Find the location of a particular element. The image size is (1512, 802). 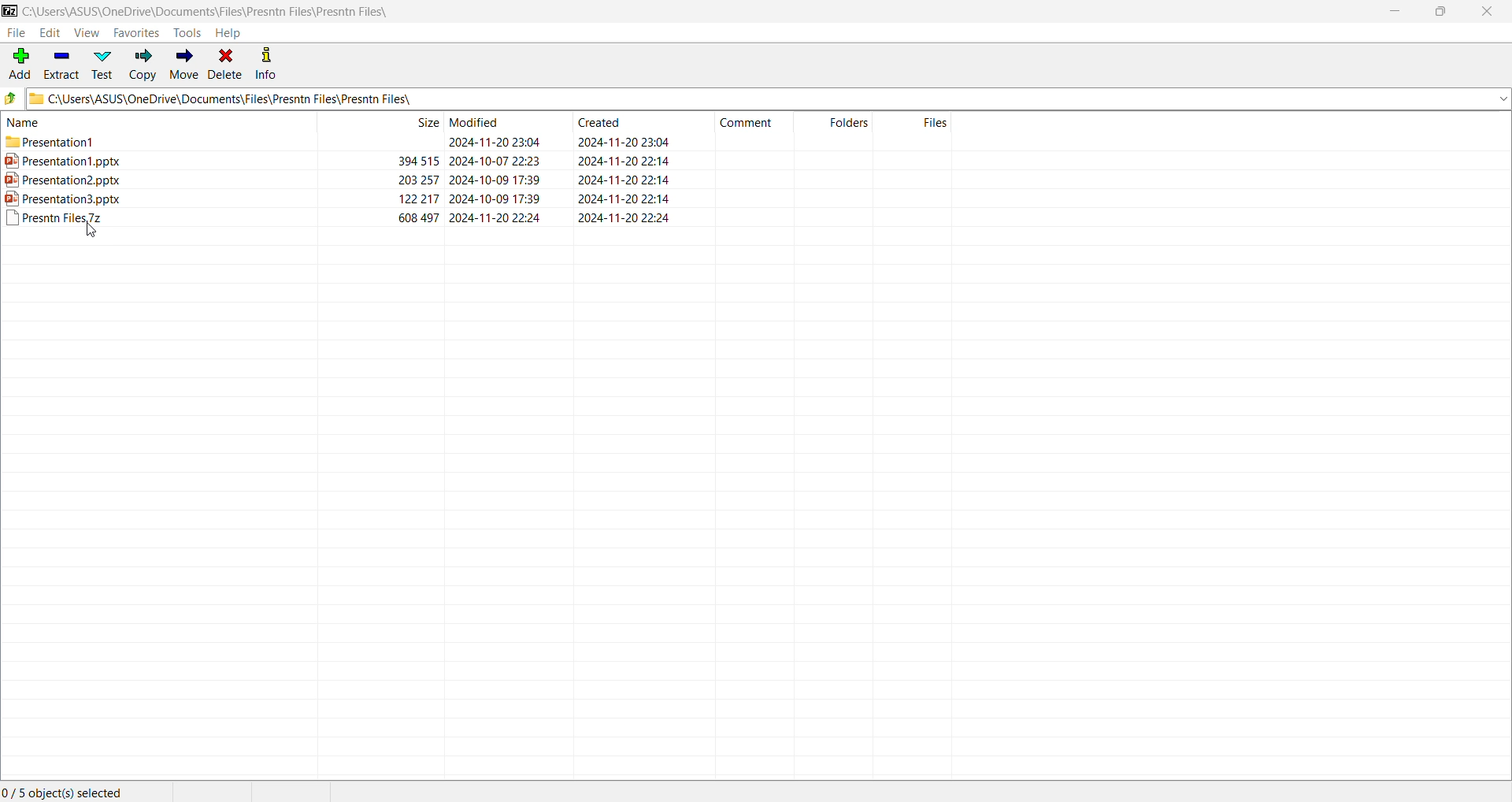

presentation1 is located at coordinates (62, 145).